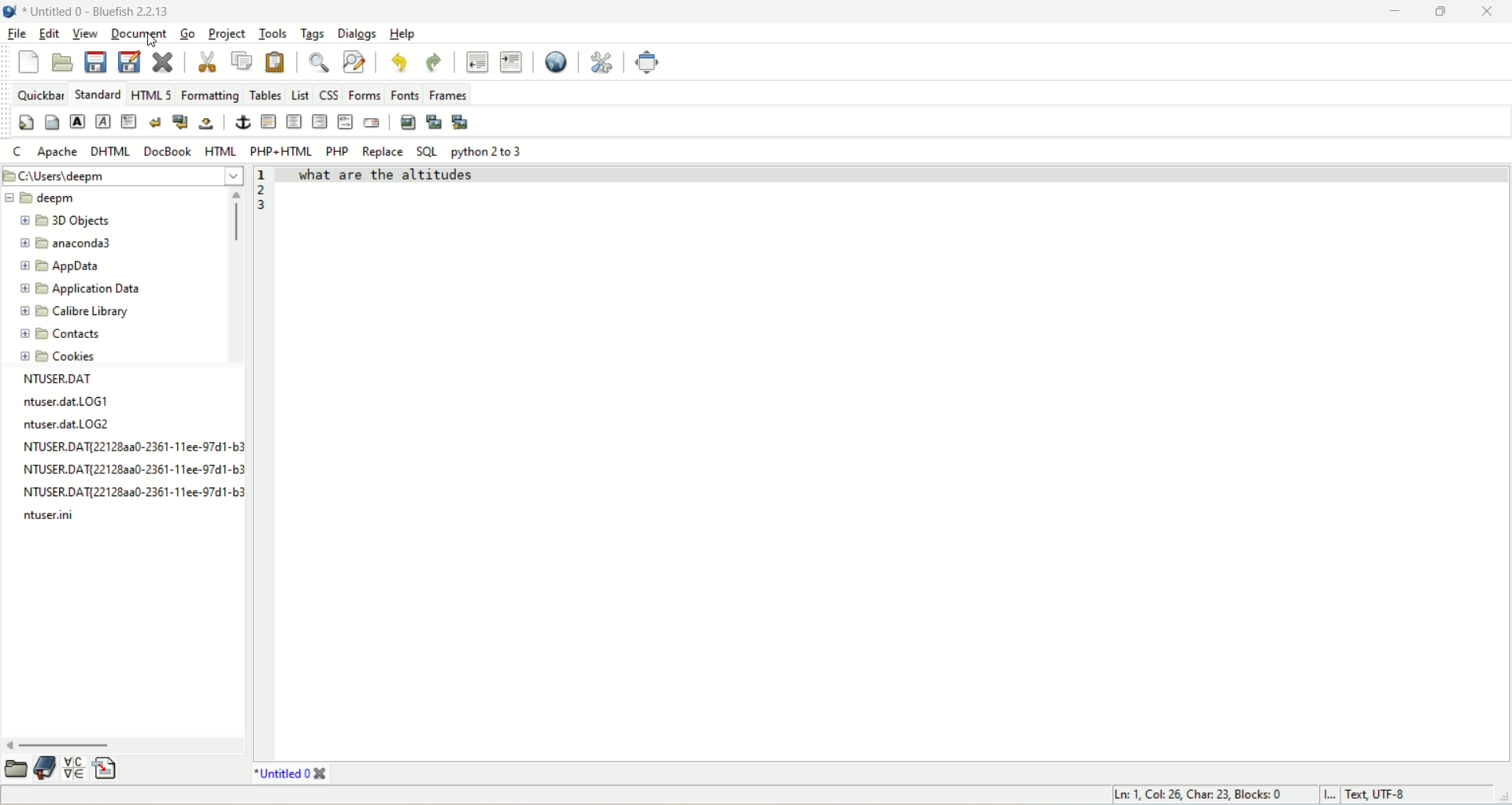 The width and height of the screenshot is (1512, 805). Describe the element at coordinates (241, 122) in the screenshot. I see `anchor/hyperlink` at that location.